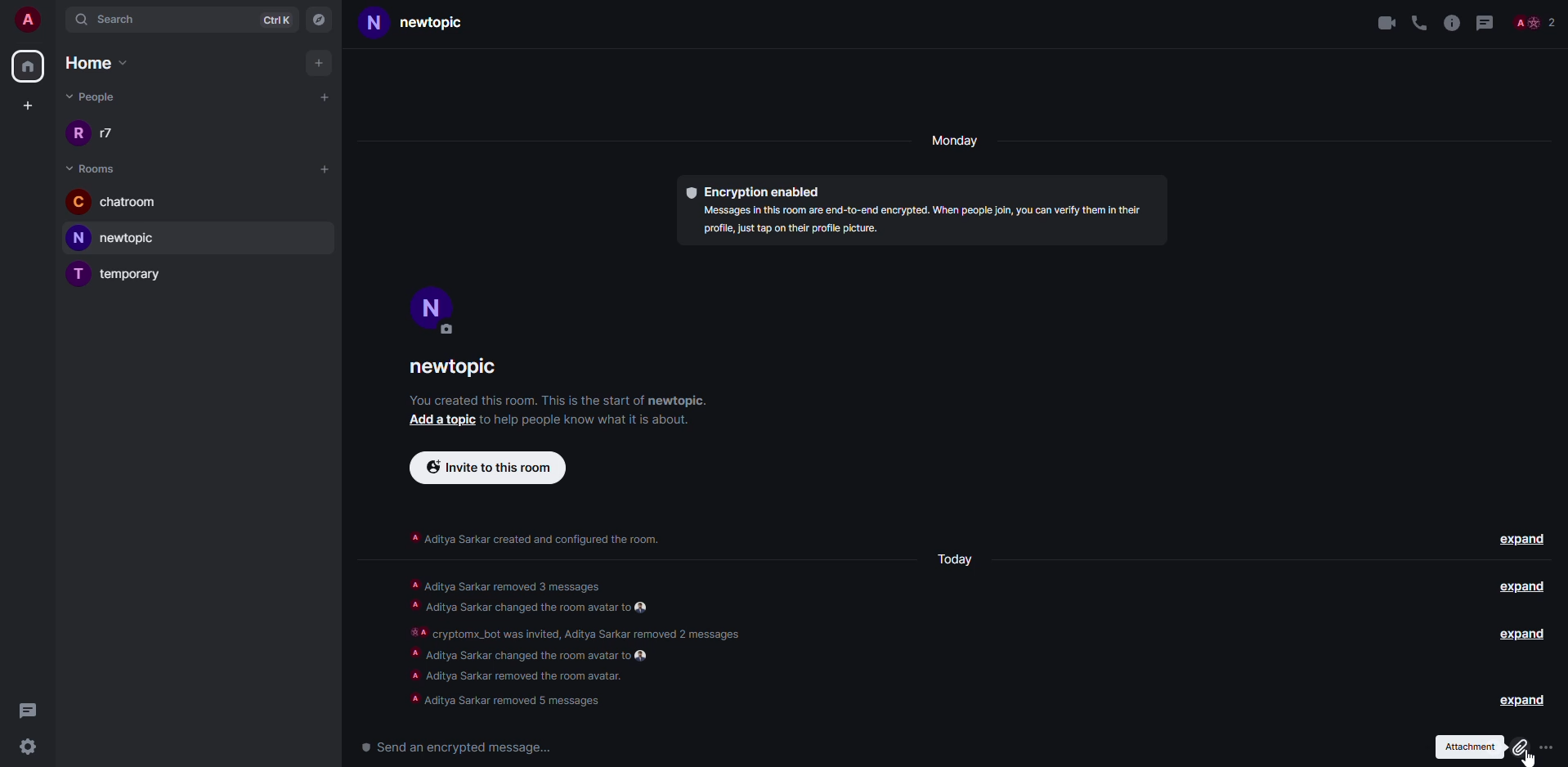 The image size is (1568, 767). I want to click on create space, so click(28, 104).